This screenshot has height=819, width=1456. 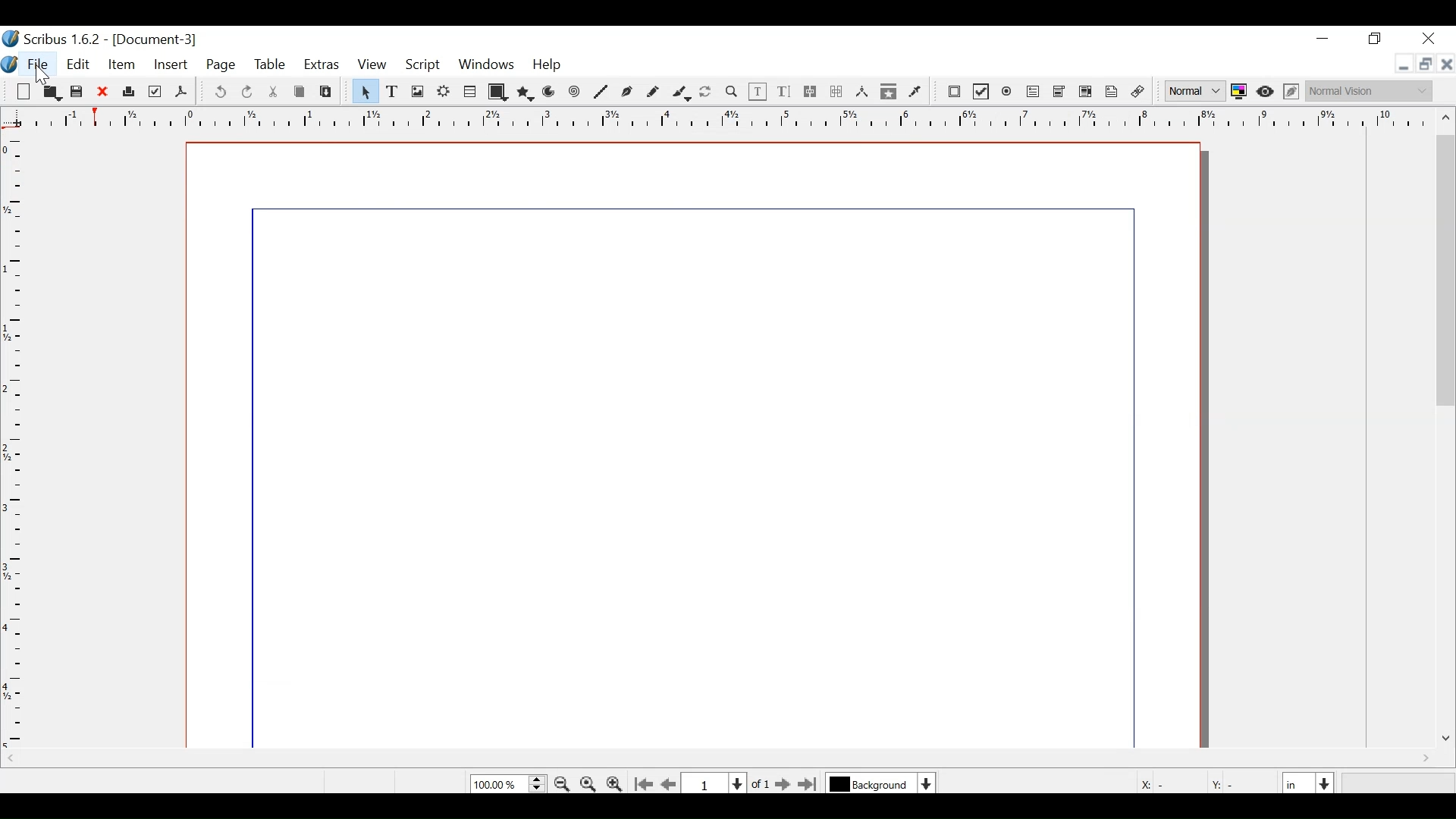 What do you see at coordinates (811, 93) in the screenshot?
I see `link Text frames` at bounding box center [811, 93].